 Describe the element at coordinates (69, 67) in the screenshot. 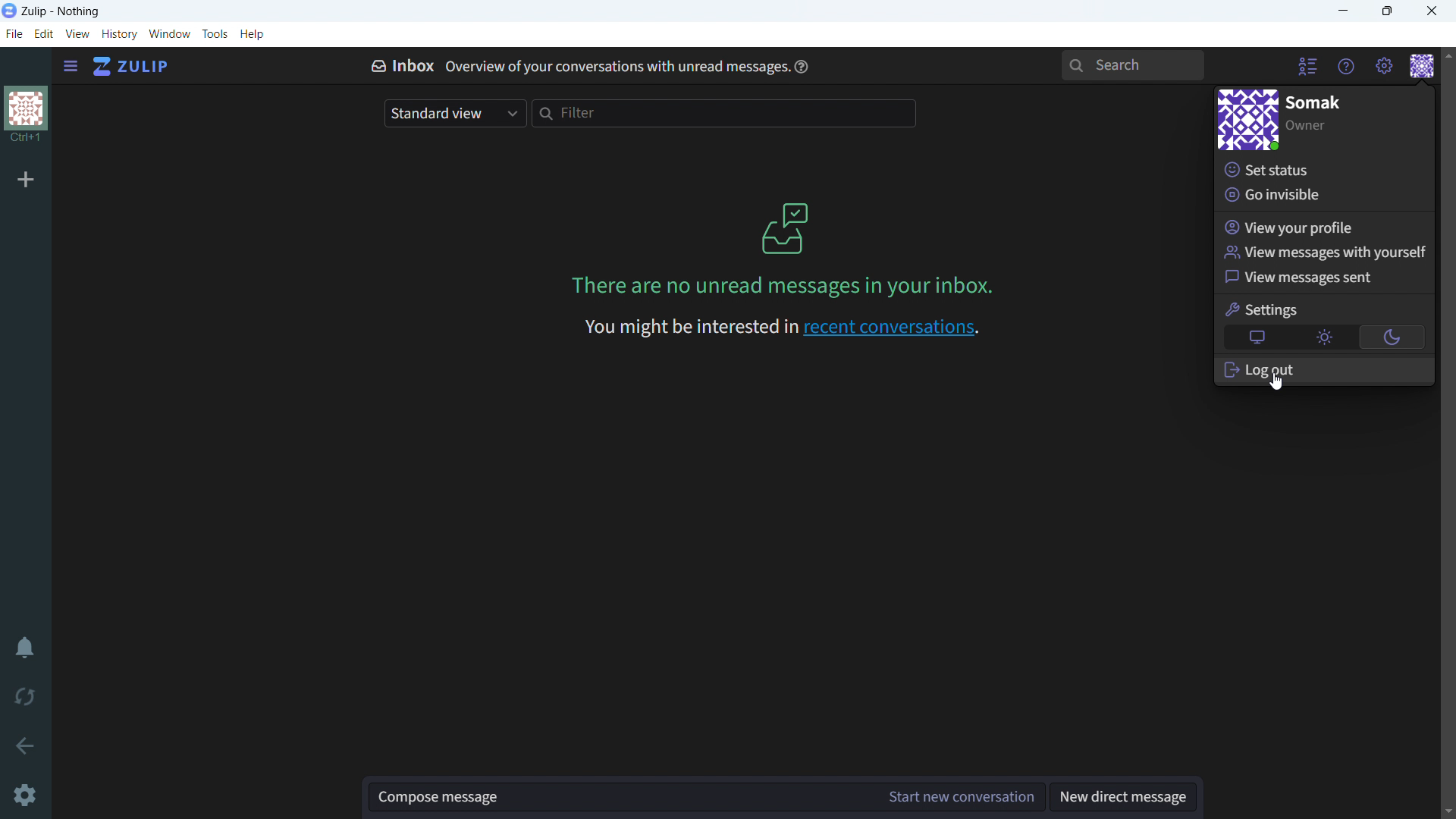

I see `open sidebar menu` at that location.